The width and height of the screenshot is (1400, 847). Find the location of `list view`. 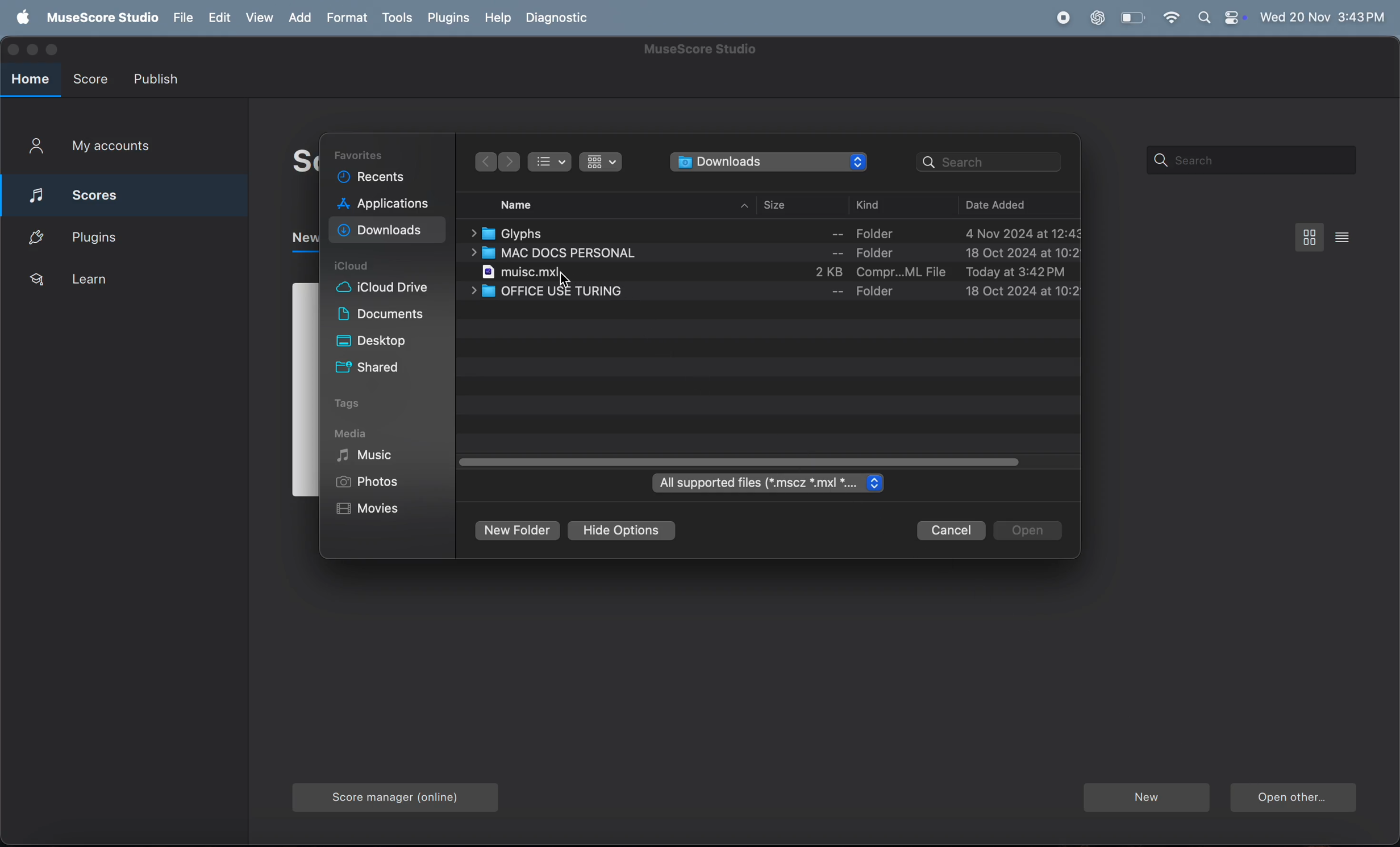

list view is located at coordinates (1343, 236).